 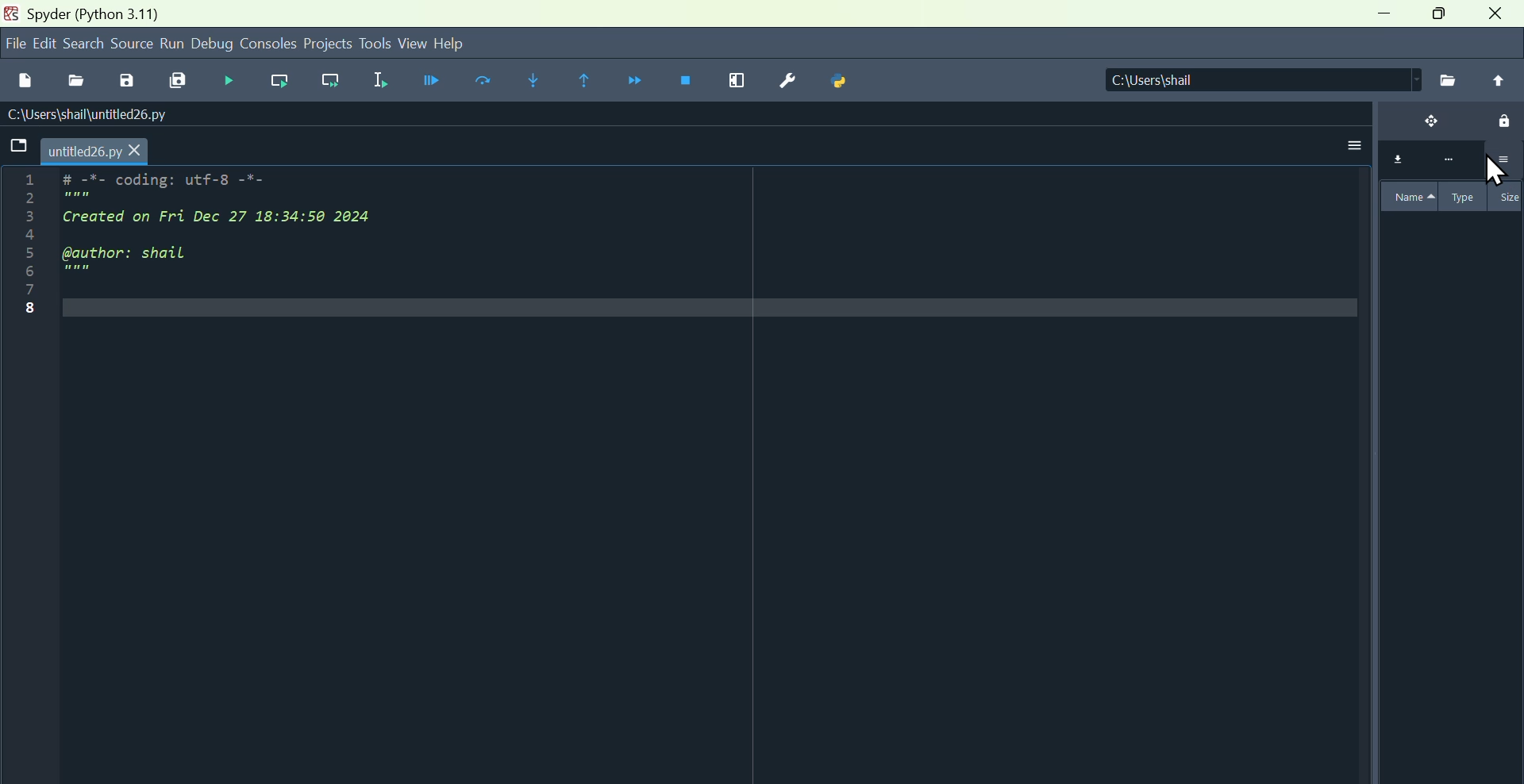 I want to click on cursor, so click(x=1497, y=174).